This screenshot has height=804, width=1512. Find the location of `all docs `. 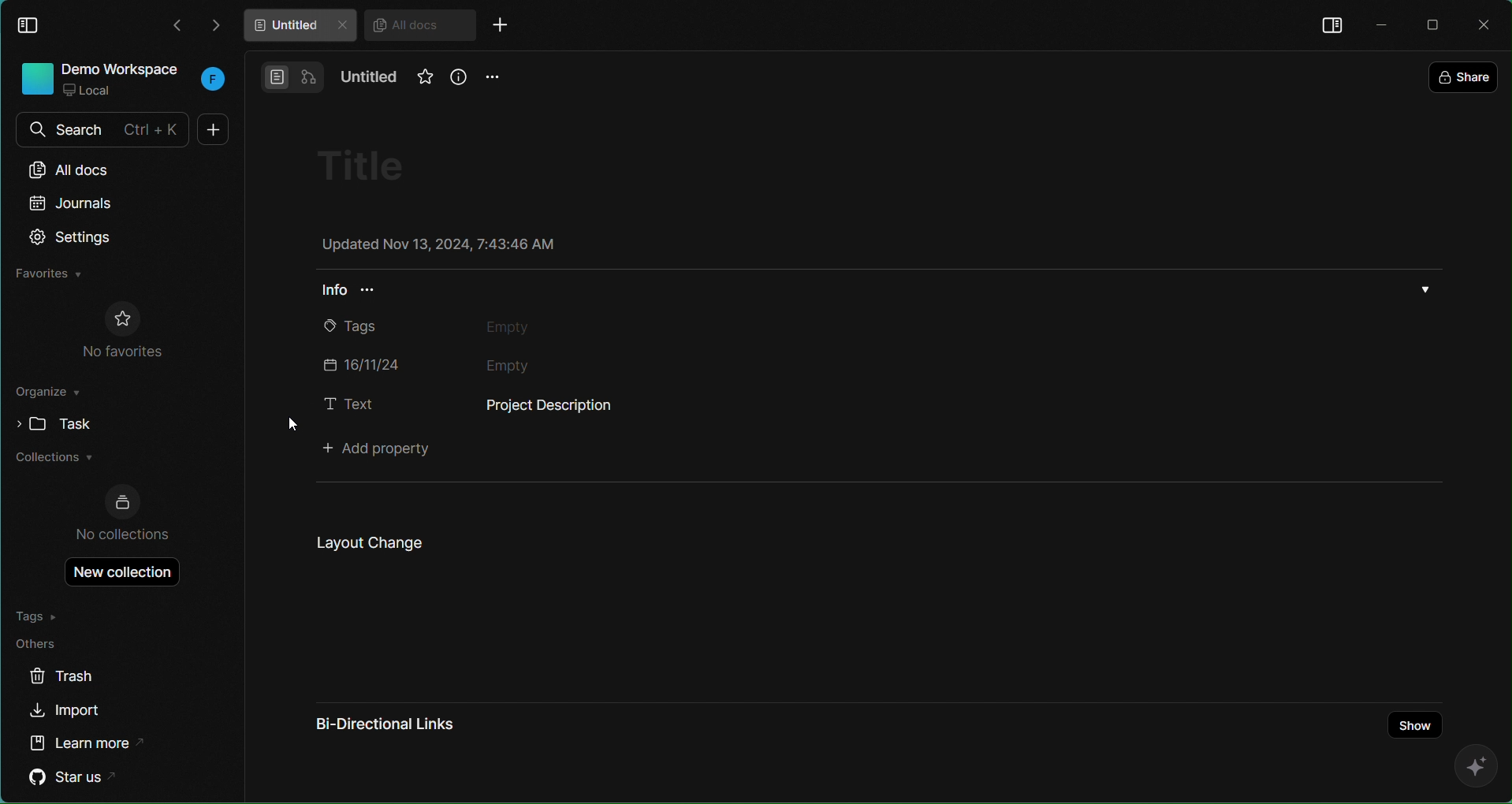

all docs  is located at coordinates (86, 168).